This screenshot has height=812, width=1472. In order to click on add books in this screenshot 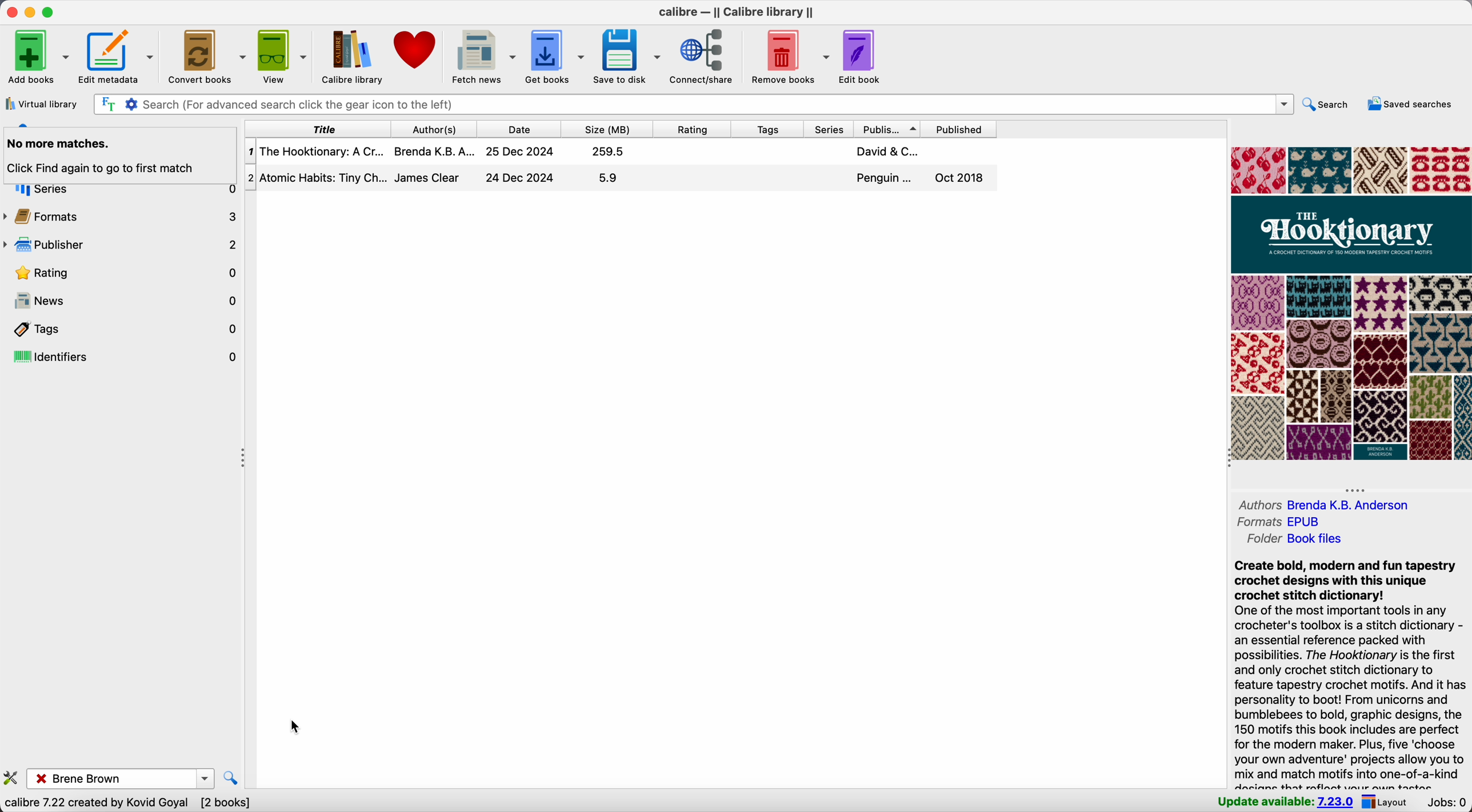, I will do `click(37, 58)`.